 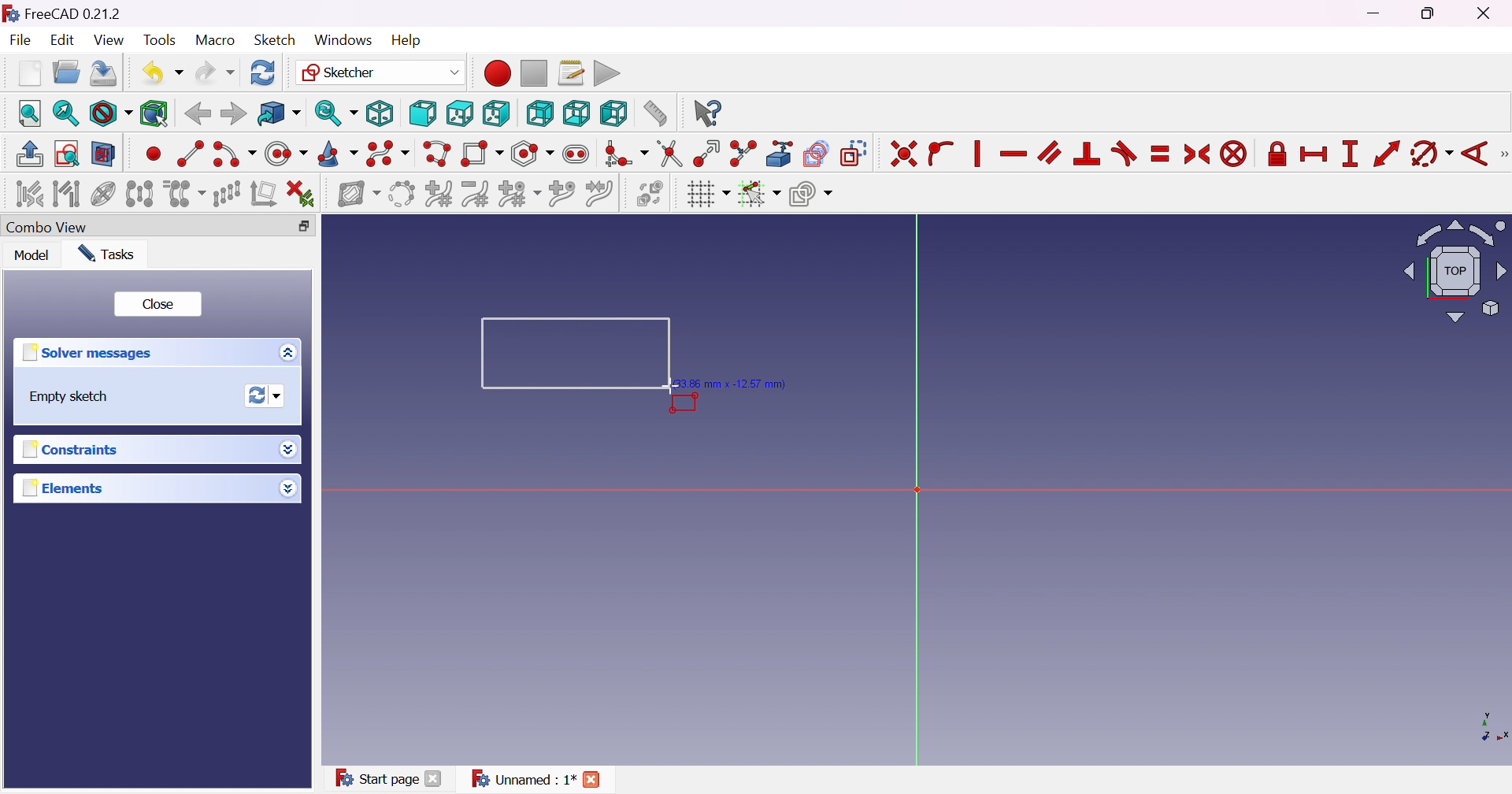 What do you see at coordinates (158, 37) in the screenshot?
I see `Tools` at bounding box center [158, 37].